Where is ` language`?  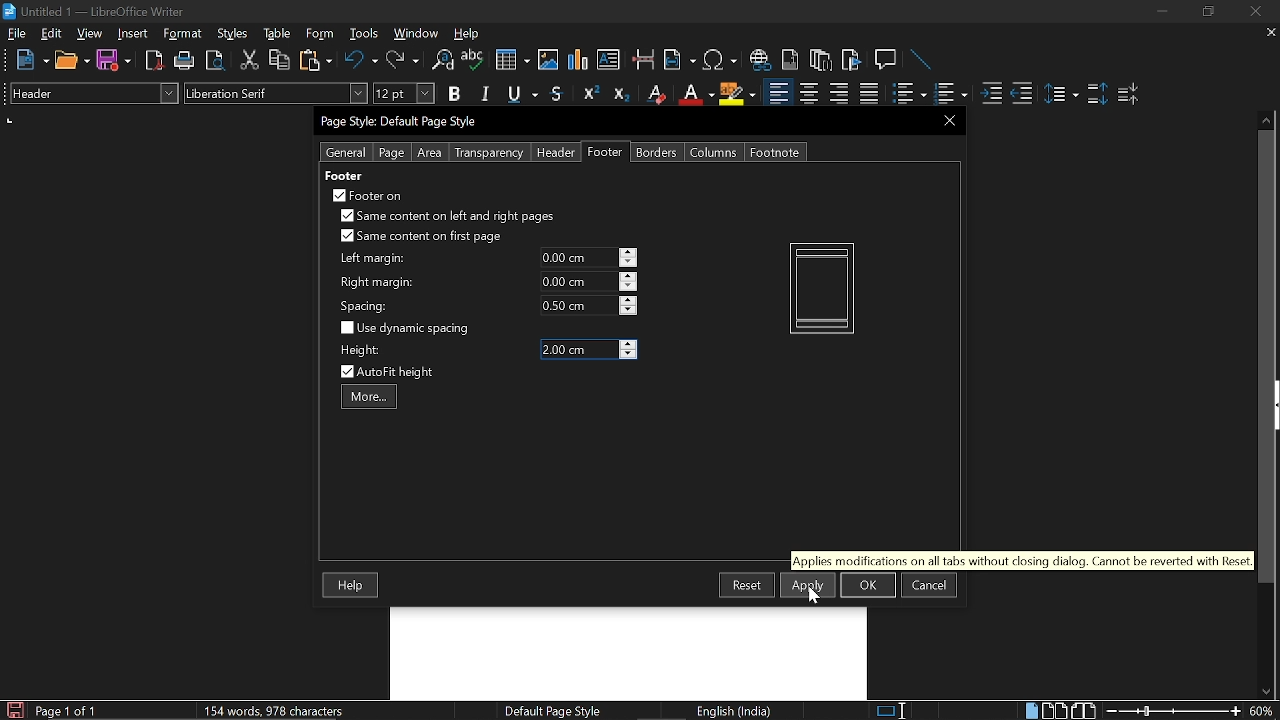  language is located at coordinates (736, 711).